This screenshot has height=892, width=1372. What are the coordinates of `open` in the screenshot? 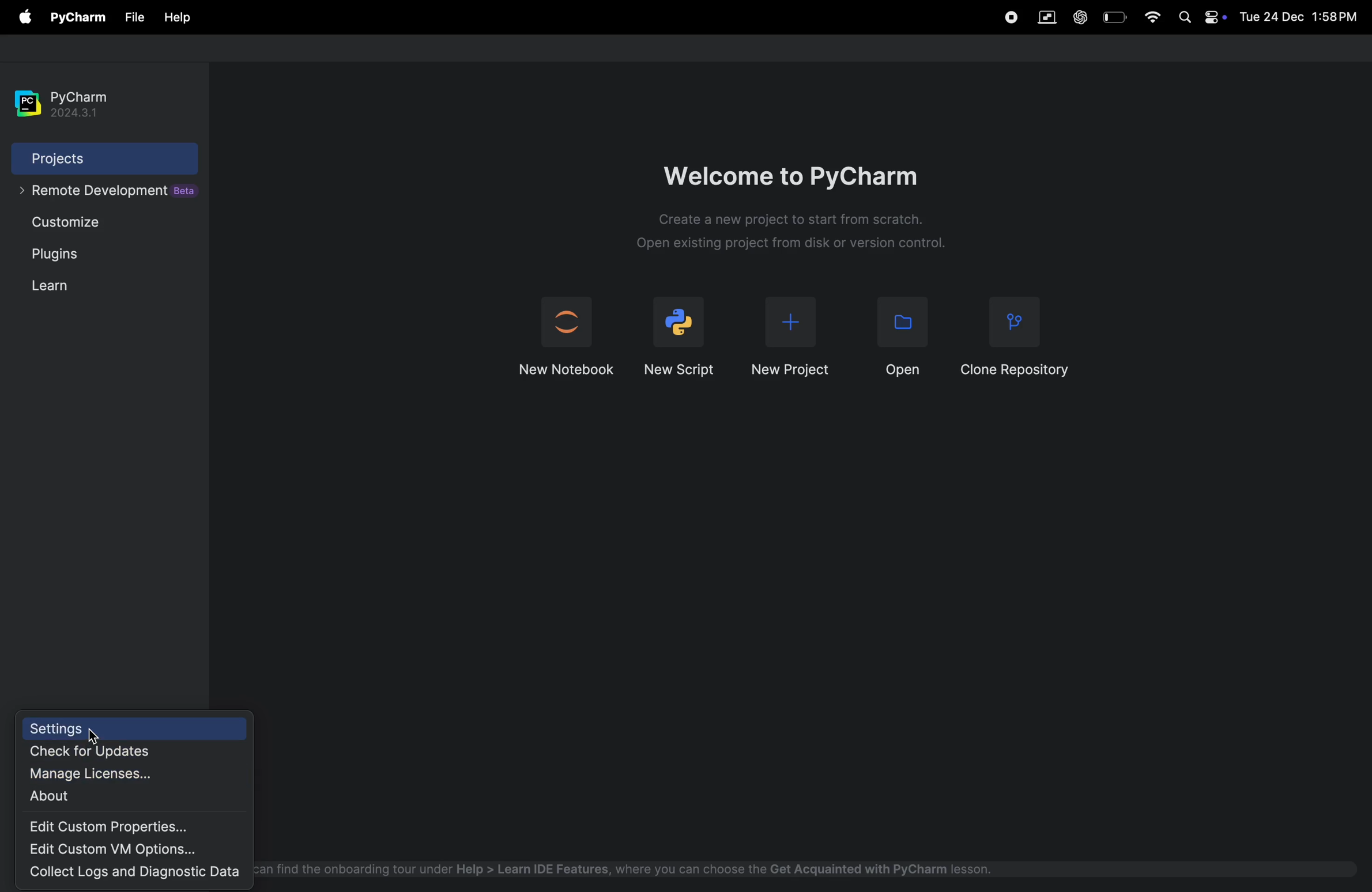 It's located at (895, 337).